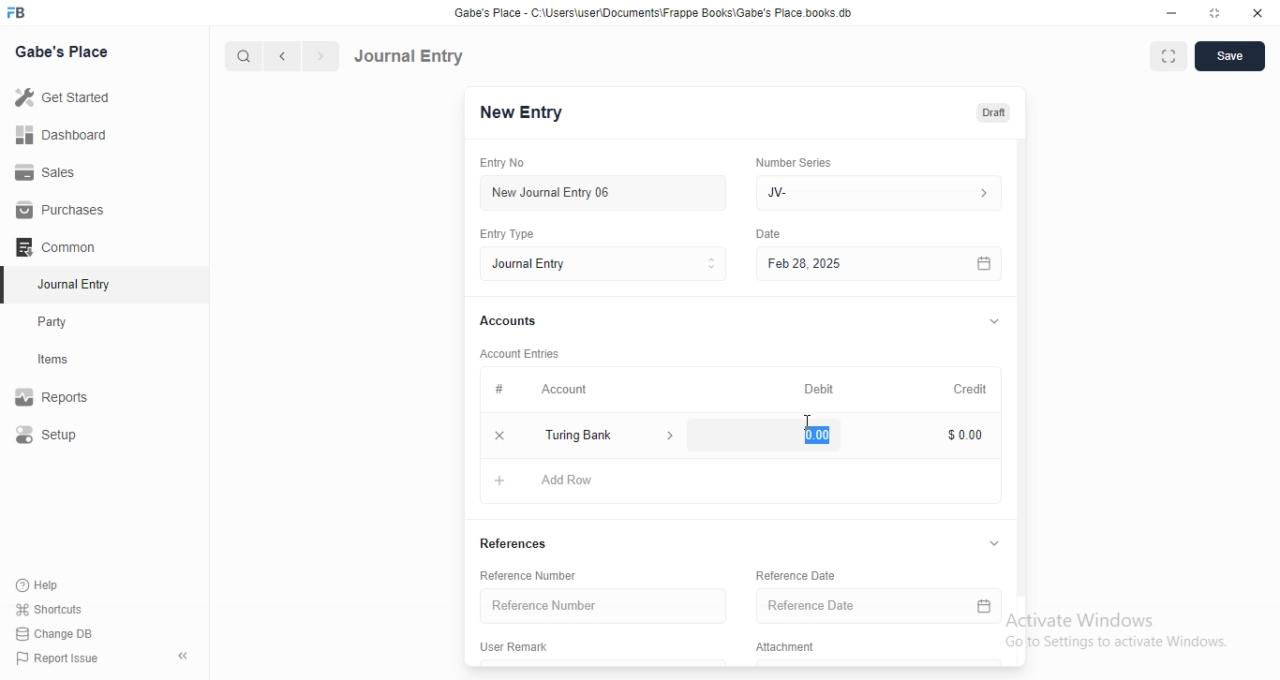  Describe the element at coordinates (245, 56) in the screenshot. I see `search` at that location.